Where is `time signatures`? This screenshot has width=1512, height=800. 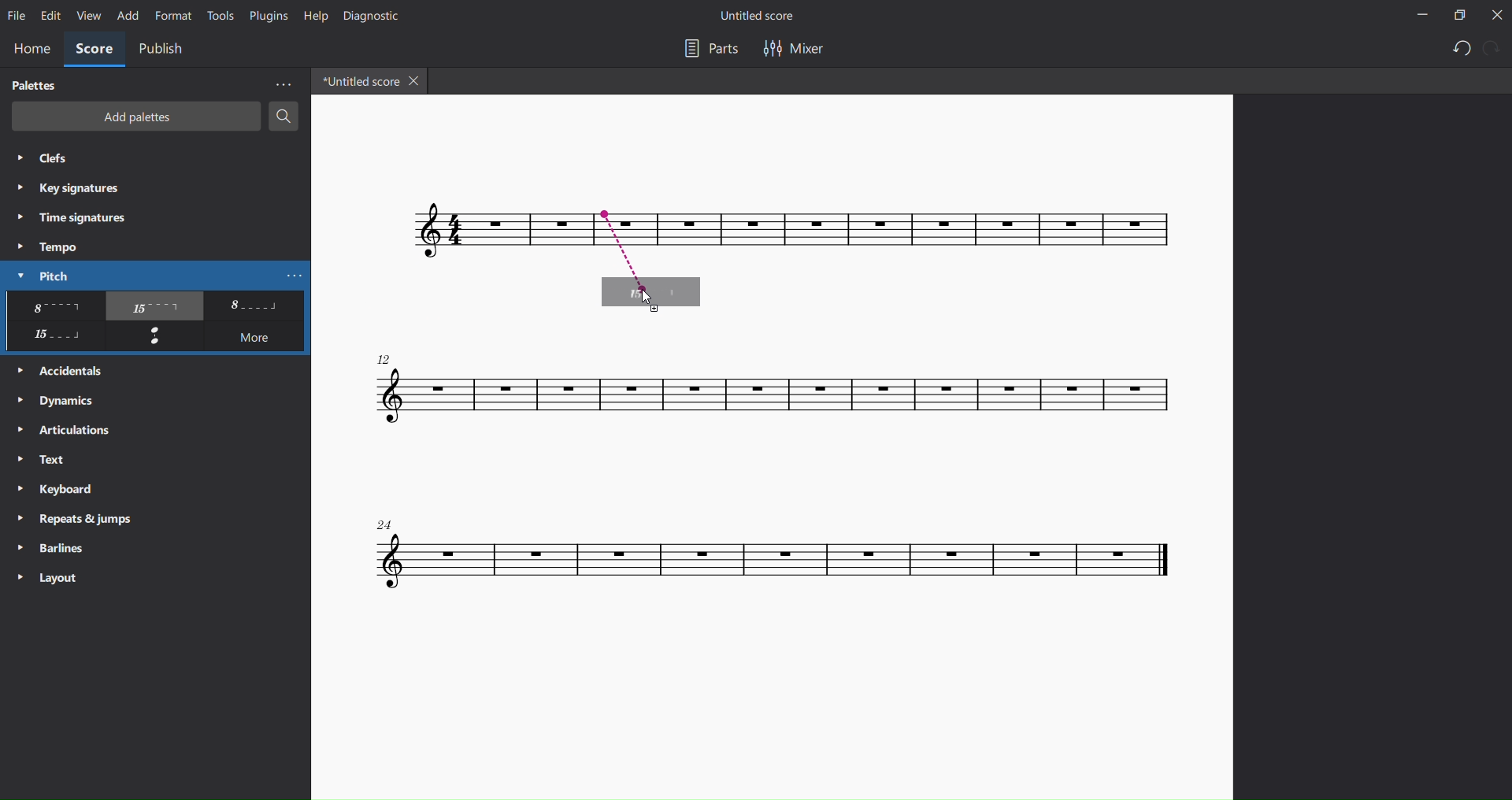 time signatures is located at coordinates (70, 219).